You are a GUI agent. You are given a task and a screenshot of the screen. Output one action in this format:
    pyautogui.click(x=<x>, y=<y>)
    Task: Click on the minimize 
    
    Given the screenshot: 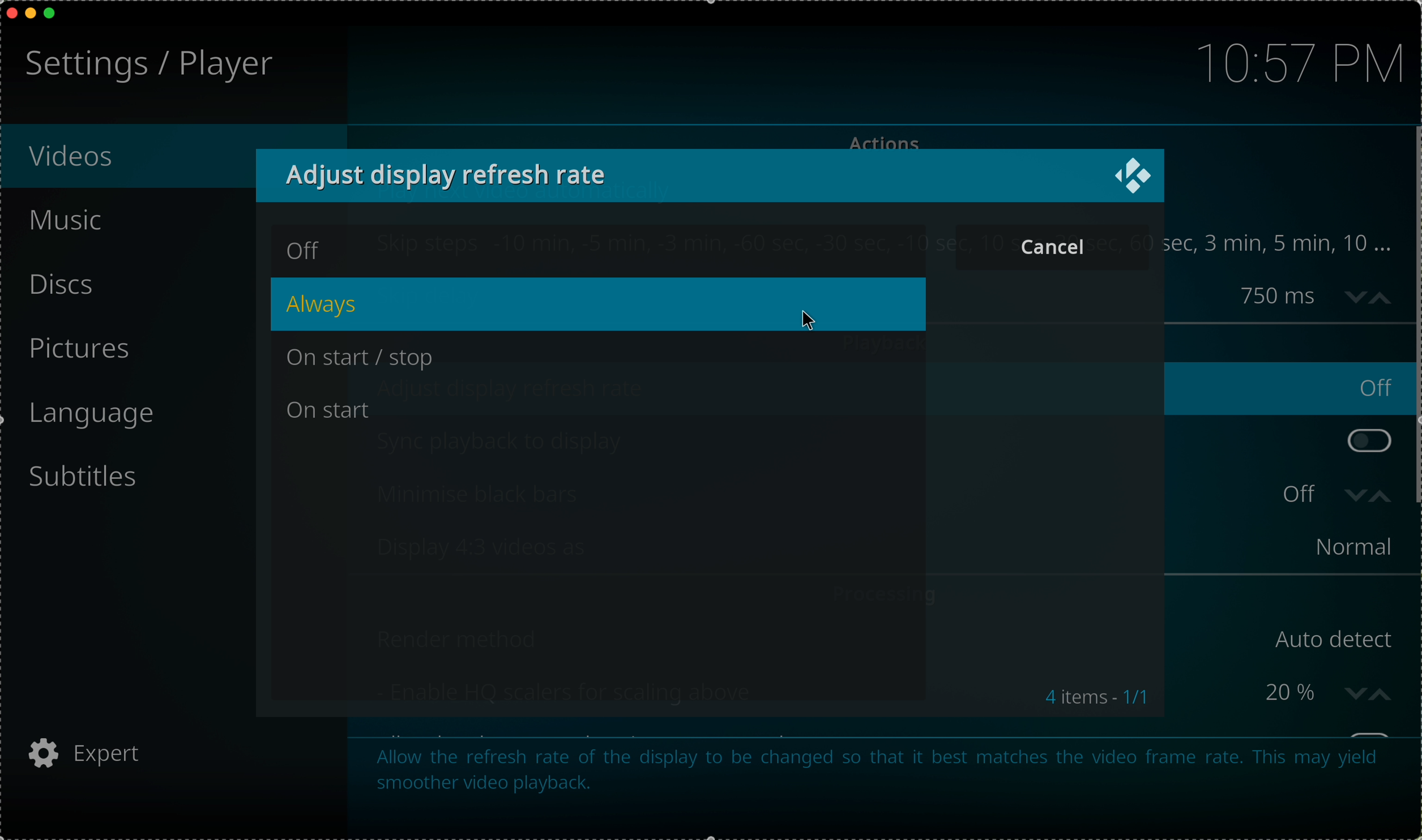 What is the action you would take?
    pyautogui.click(x=31, y=16)
    